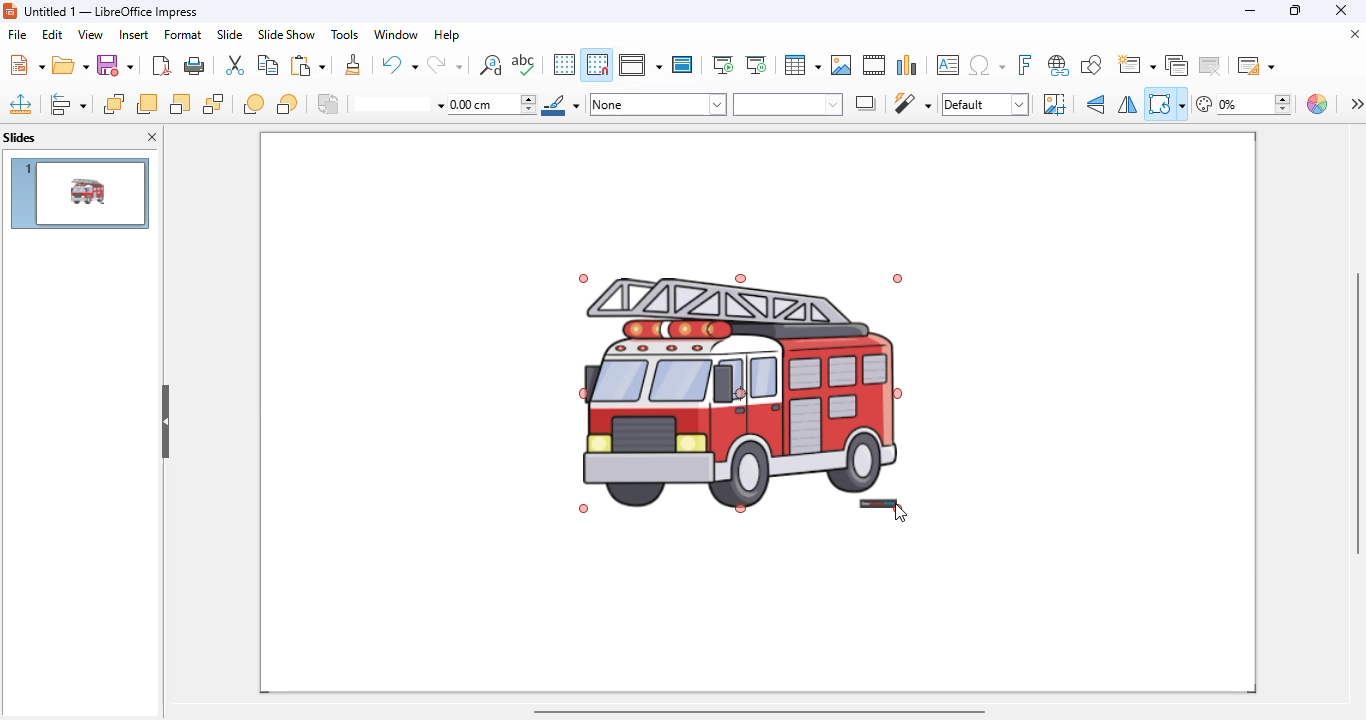  What do you see at coordinates (254, 104) in the screenshot?
I see `in front of objects` at bounding box center [254, 104].